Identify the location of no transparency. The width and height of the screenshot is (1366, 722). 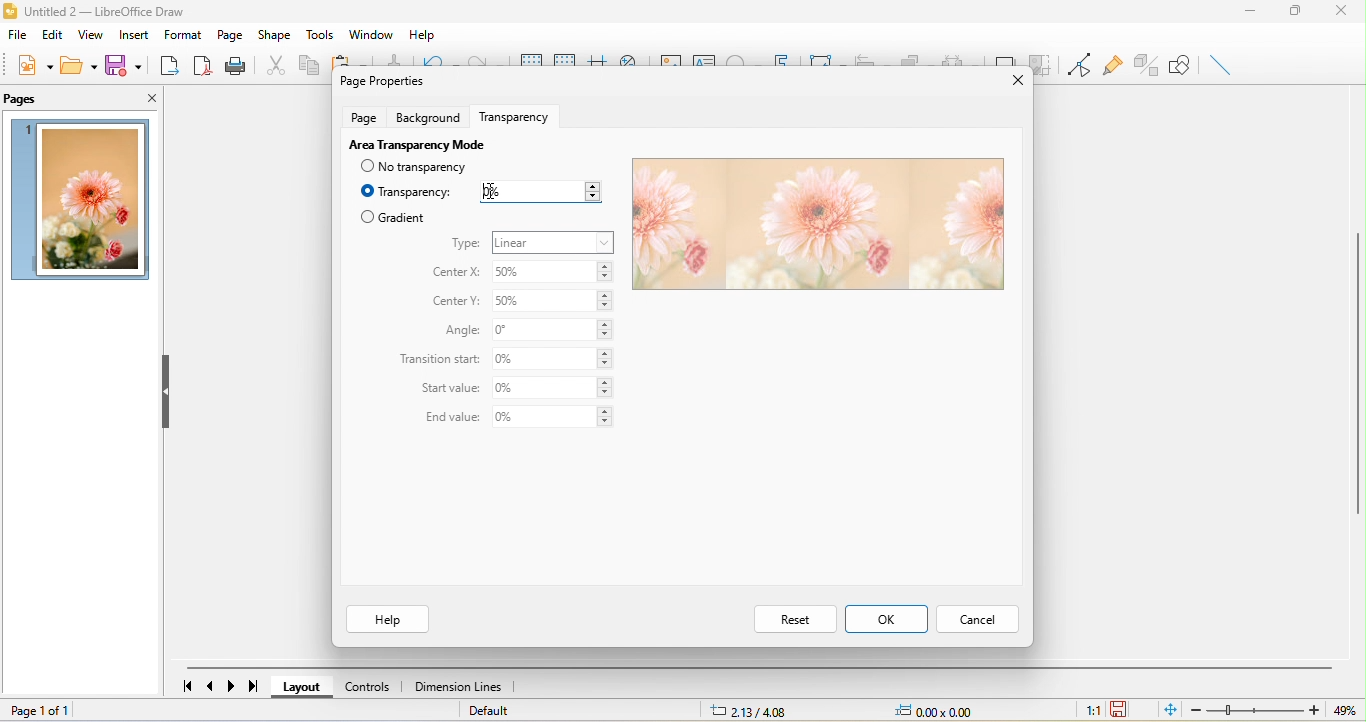
(425, 167).